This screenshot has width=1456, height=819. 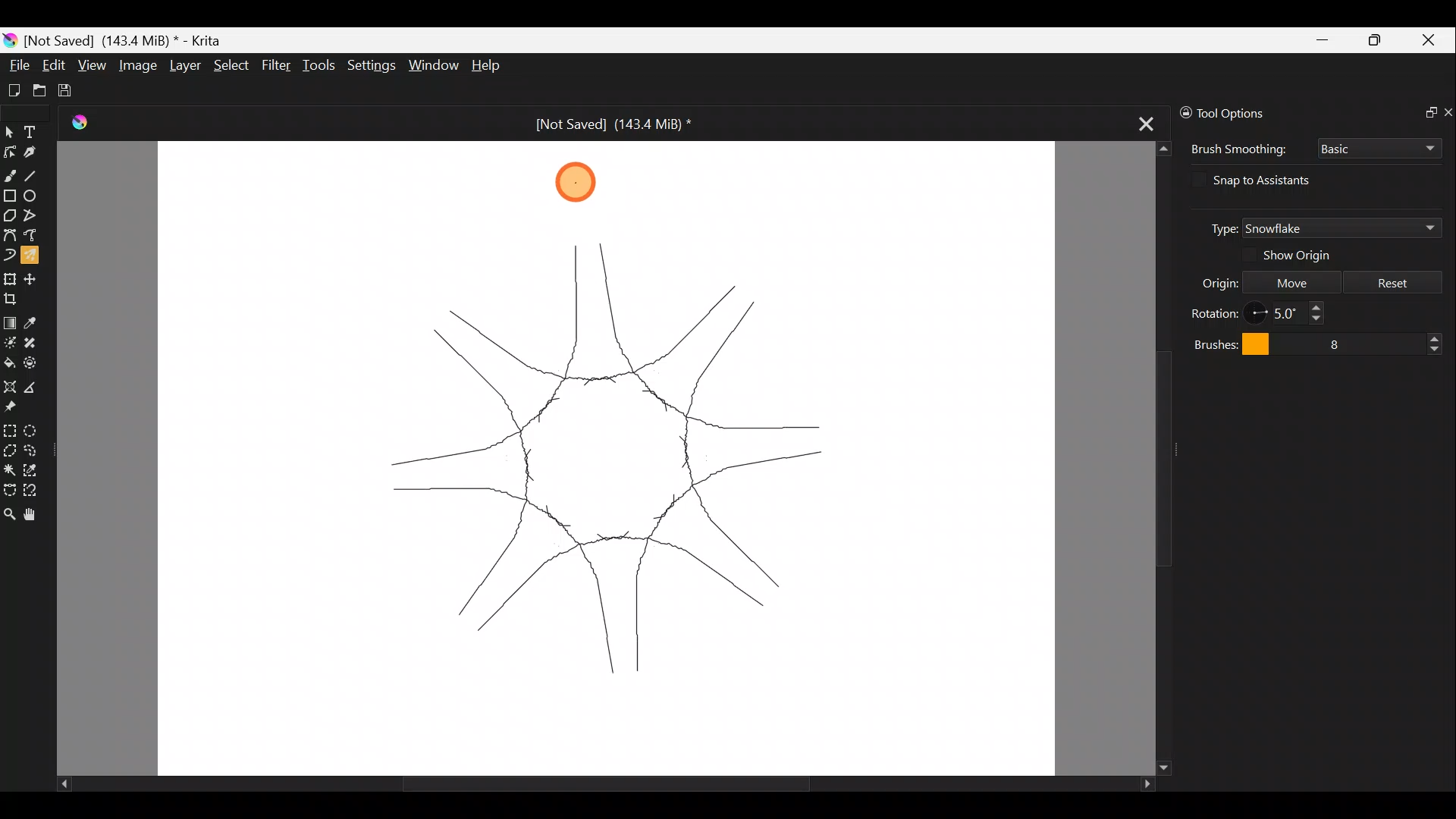 I want to click on Measure the distance between two points, so click(x=36, y=385).